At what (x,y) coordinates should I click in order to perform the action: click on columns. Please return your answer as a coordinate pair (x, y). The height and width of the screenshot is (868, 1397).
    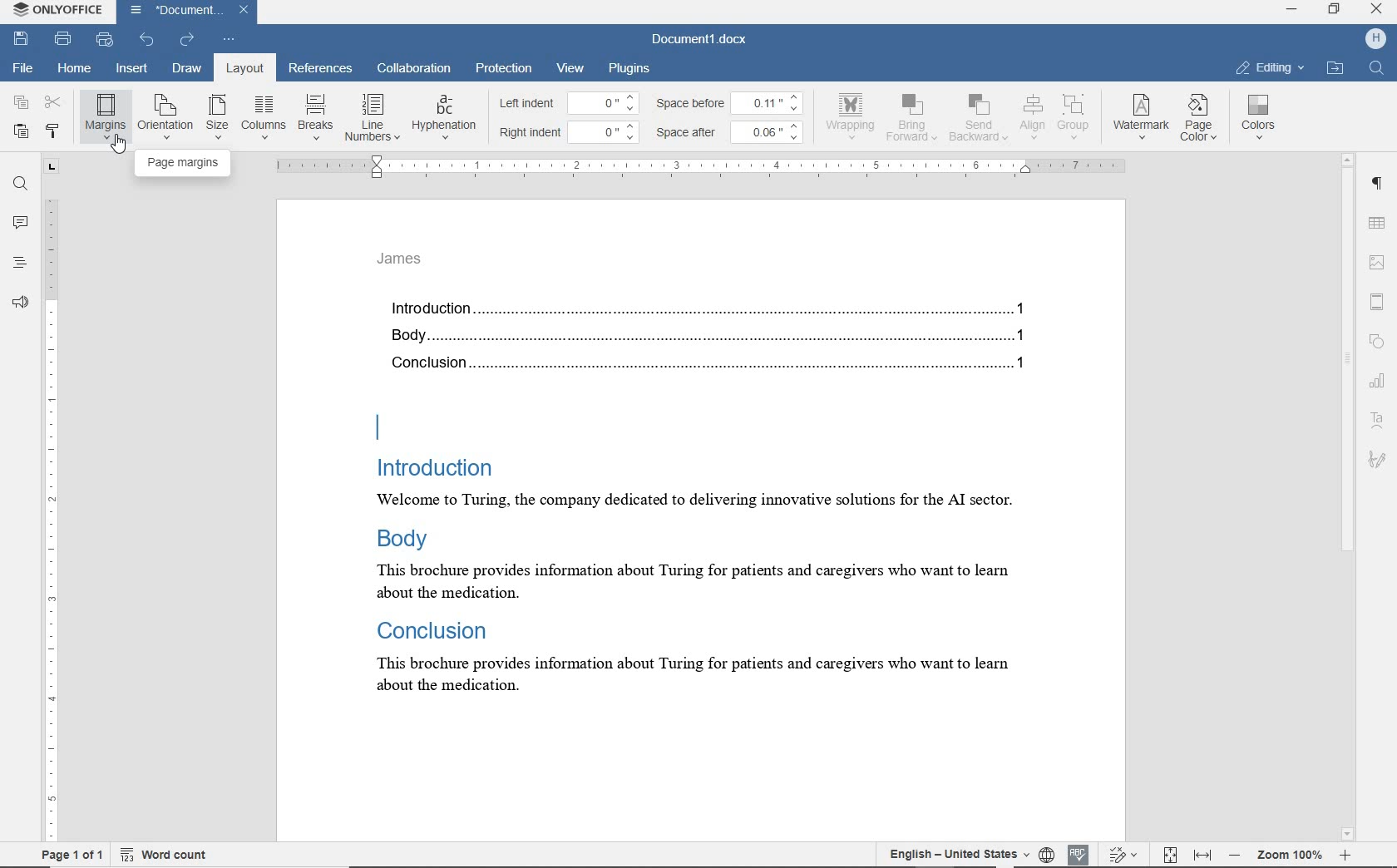
    Looking at the image, I should click on (263, 117).